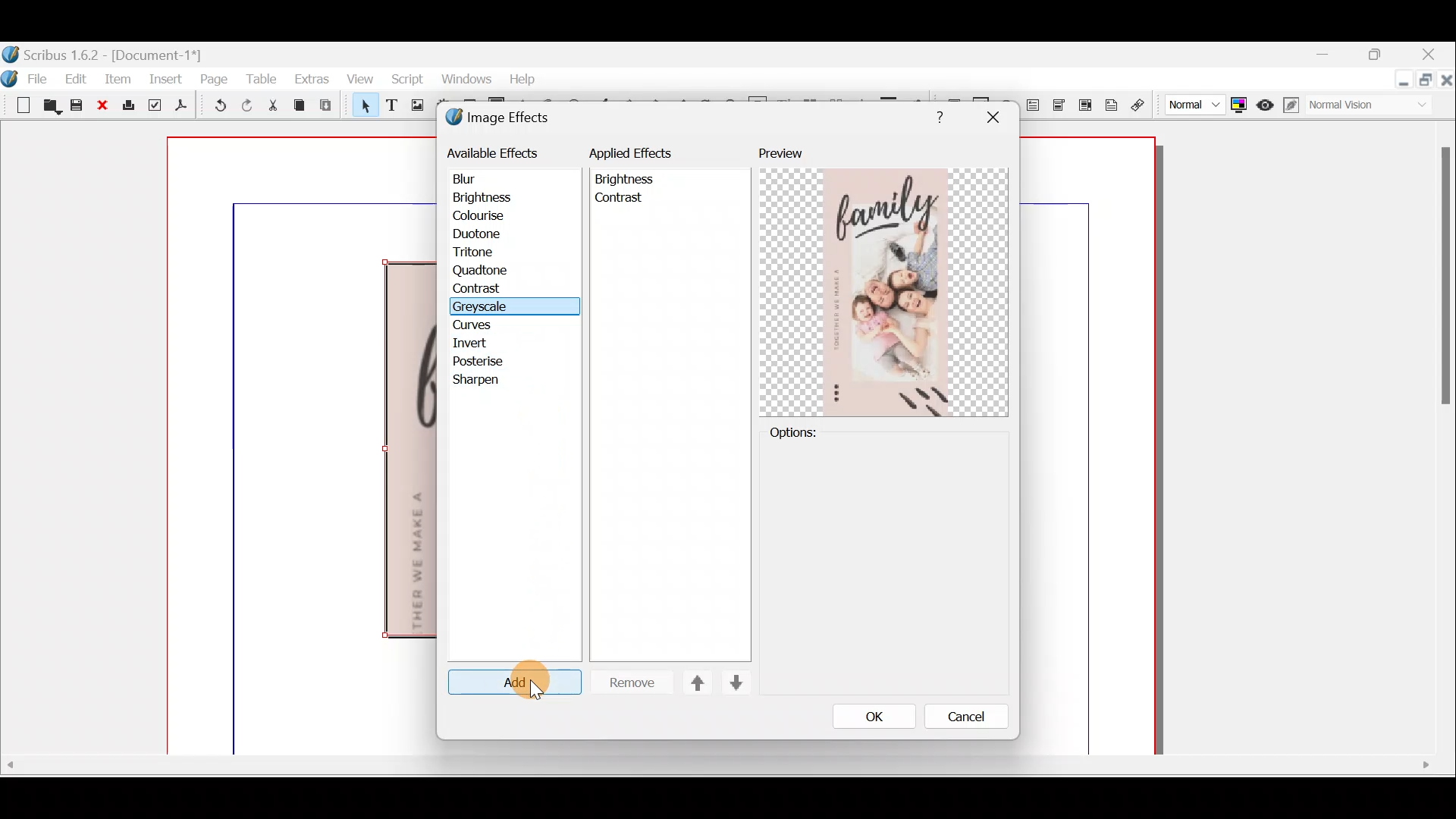 The height and width of the screenshot is (819, 1456). Describe the element at coordinates (497, 252) in the screenshot. I see `tritone` at that location.